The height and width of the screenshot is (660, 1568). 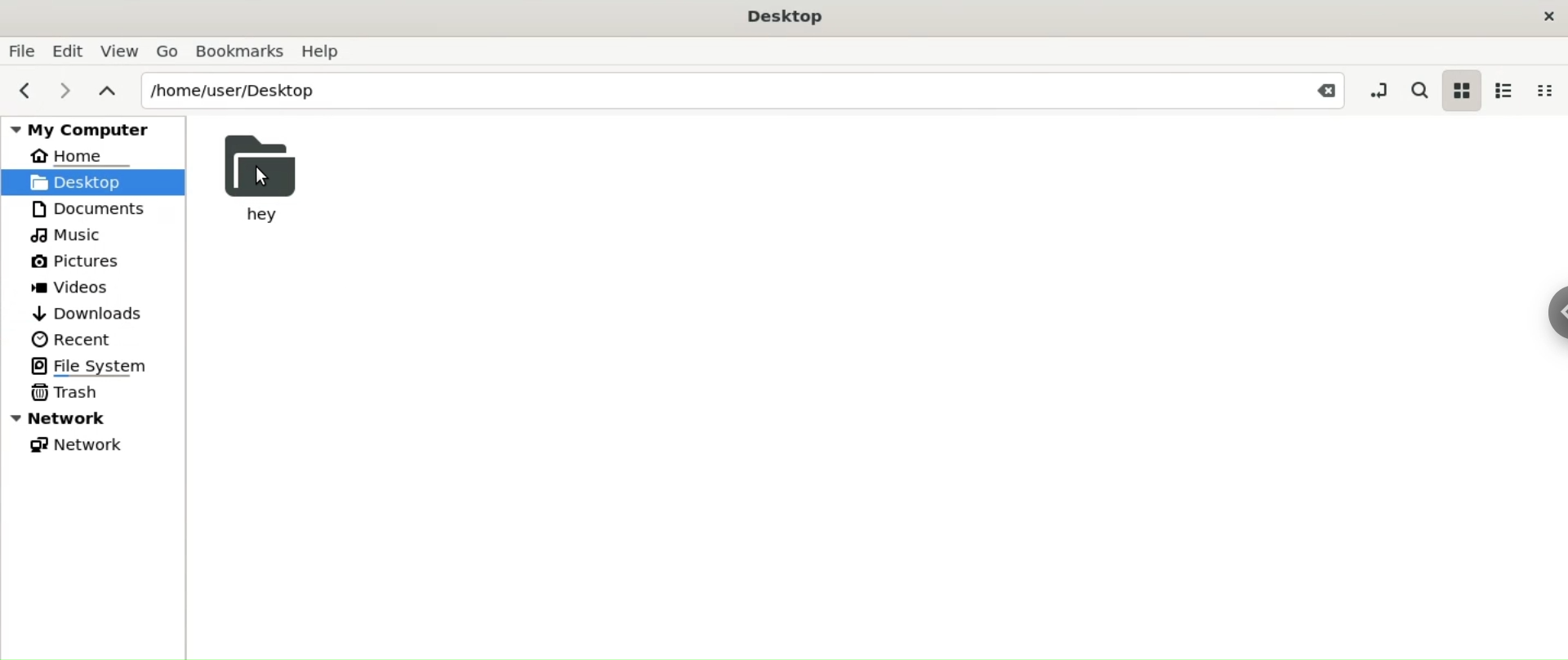 I want to click on Desktop, so click(x=787, y=14).